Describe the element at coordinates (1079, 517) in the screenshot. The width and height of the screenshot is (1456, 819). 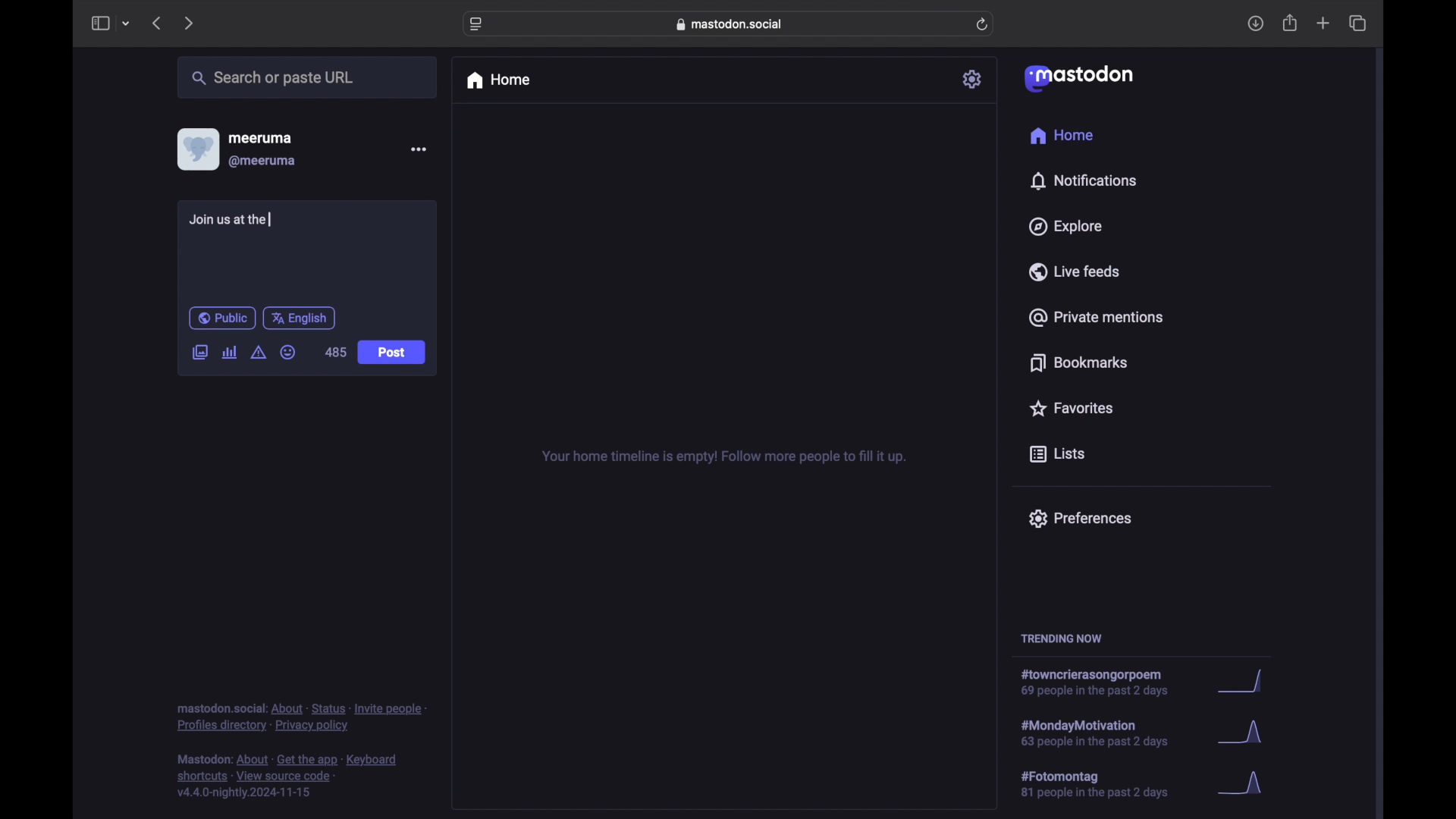
I see `preferences` at that location.